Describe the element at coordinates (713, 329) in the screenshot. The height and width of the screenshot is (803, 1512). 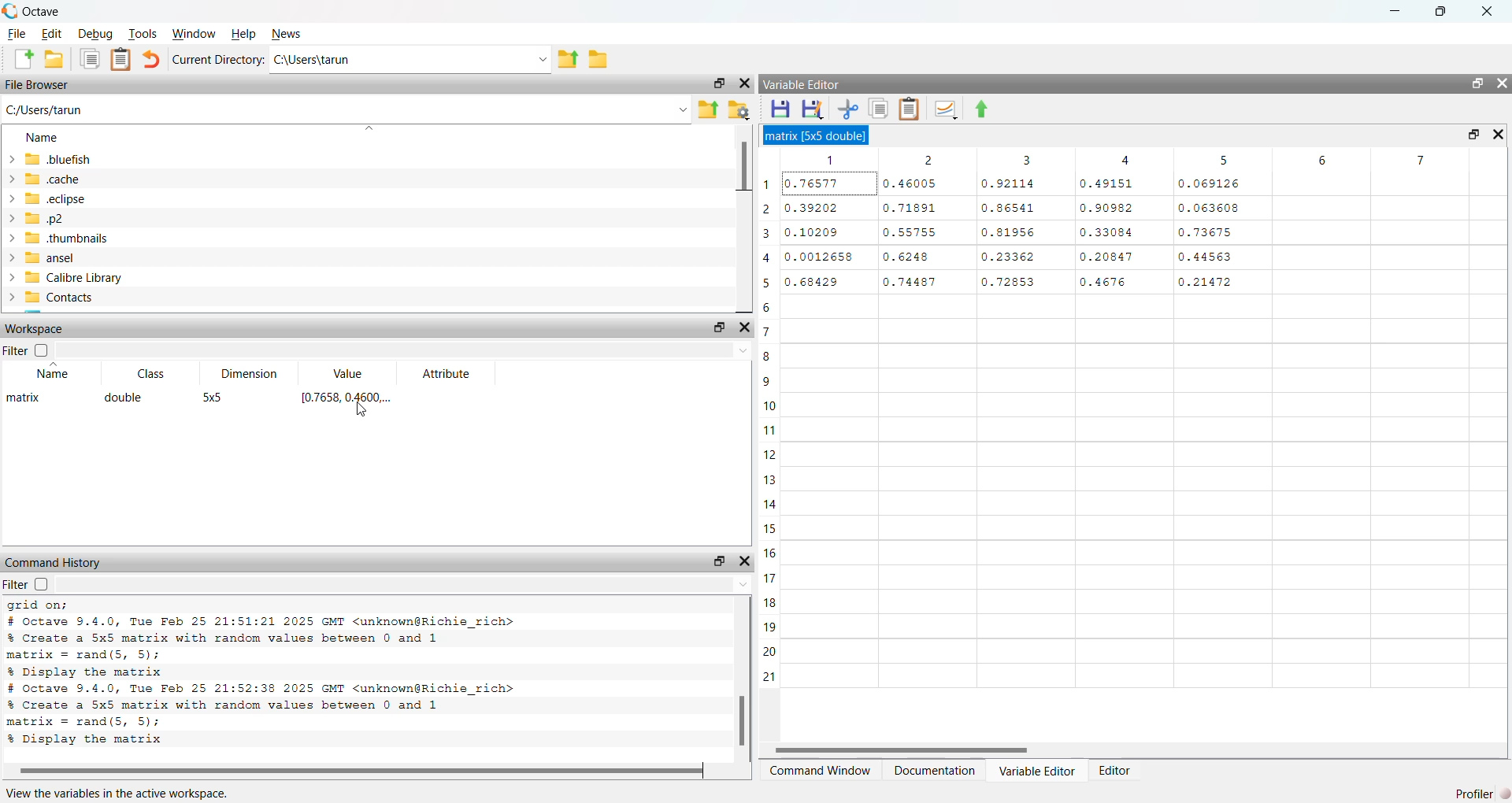
I see `maximise` at that location.